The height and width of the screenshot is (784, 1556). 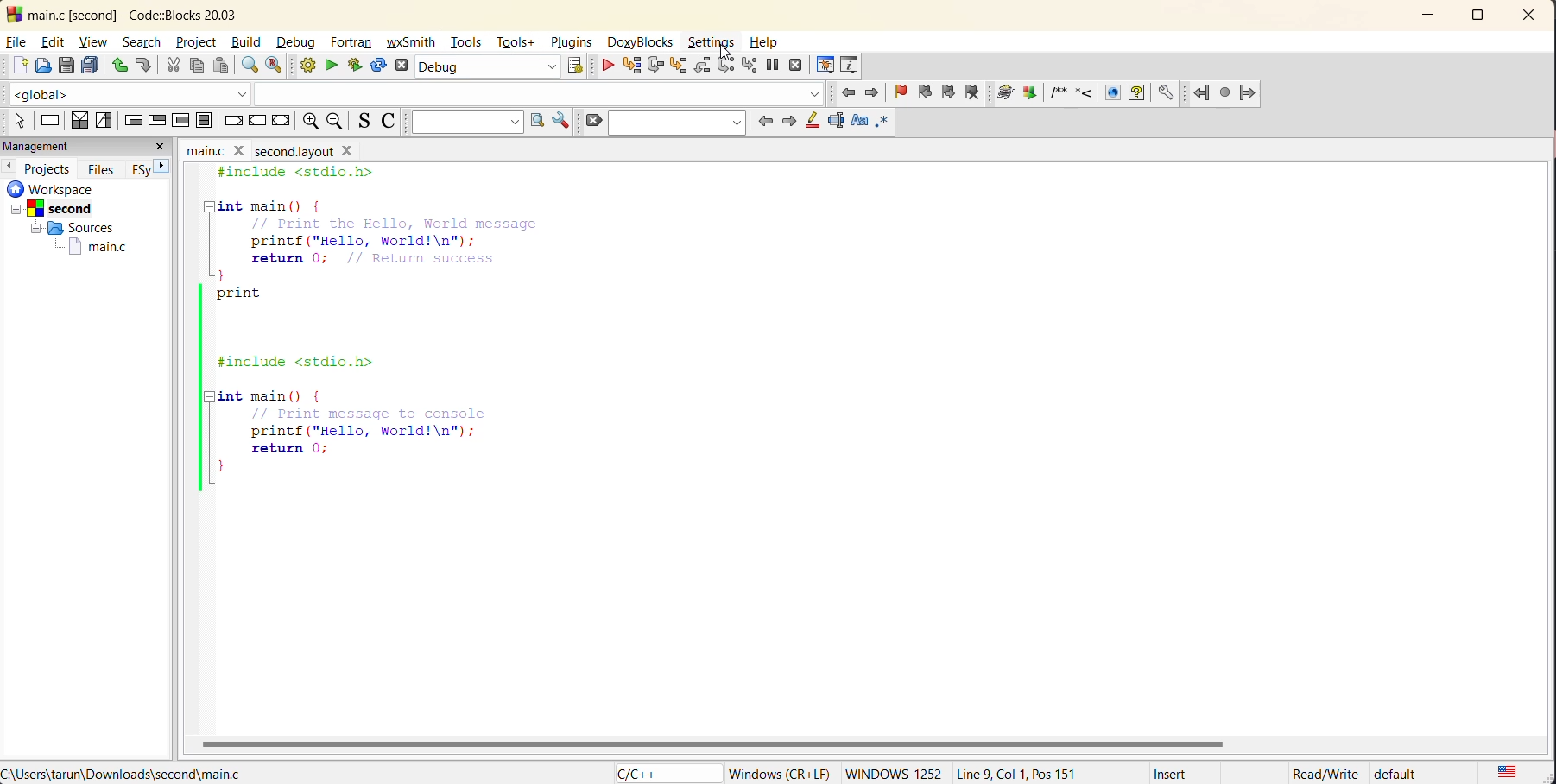 I want to click on next, so click(x=163, y=165).